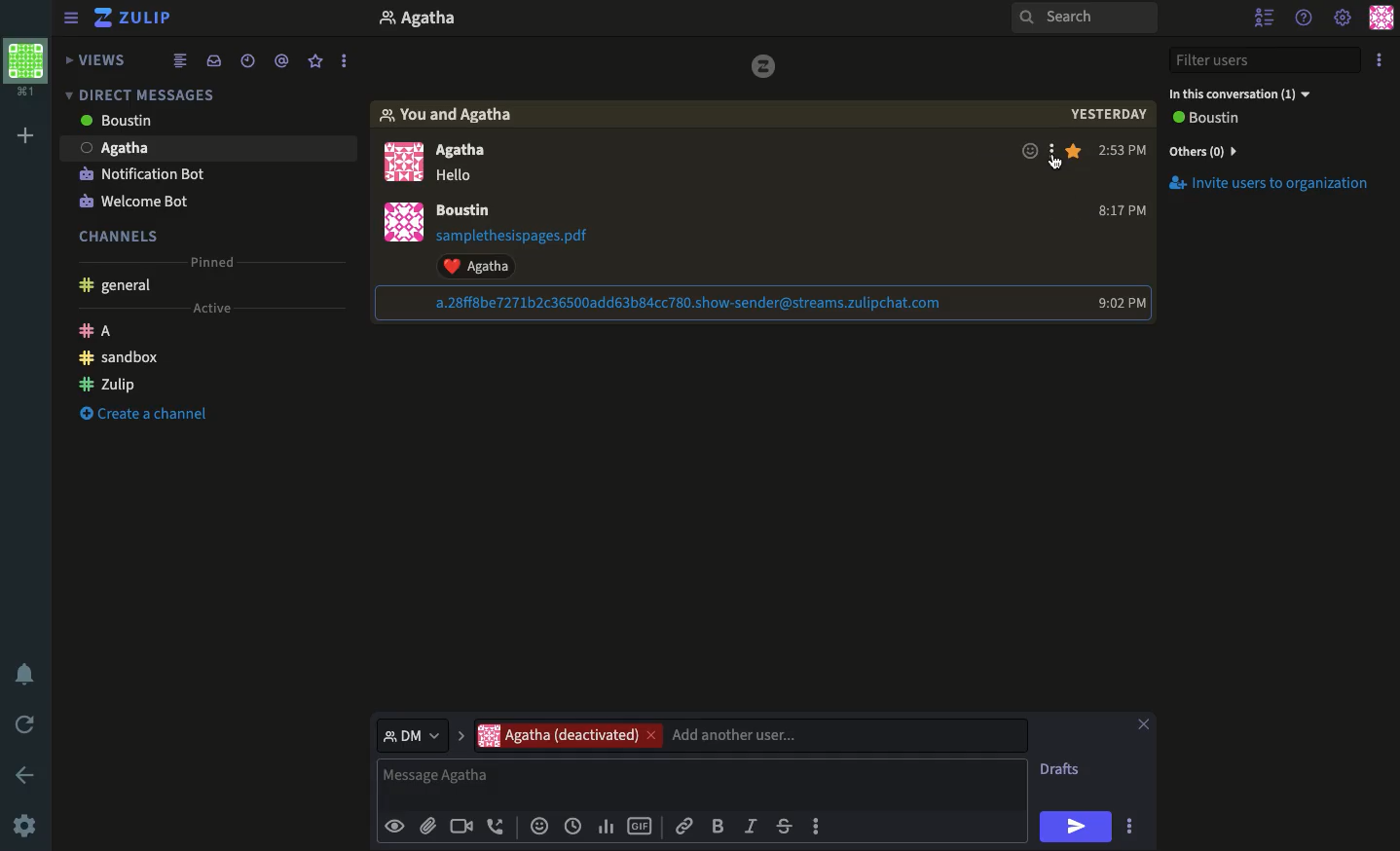 The image size is (1400, 851). What do you see at coordinates (28, 722) in the screenshot?
I see `Refresh` at bounding box center [28, 722].